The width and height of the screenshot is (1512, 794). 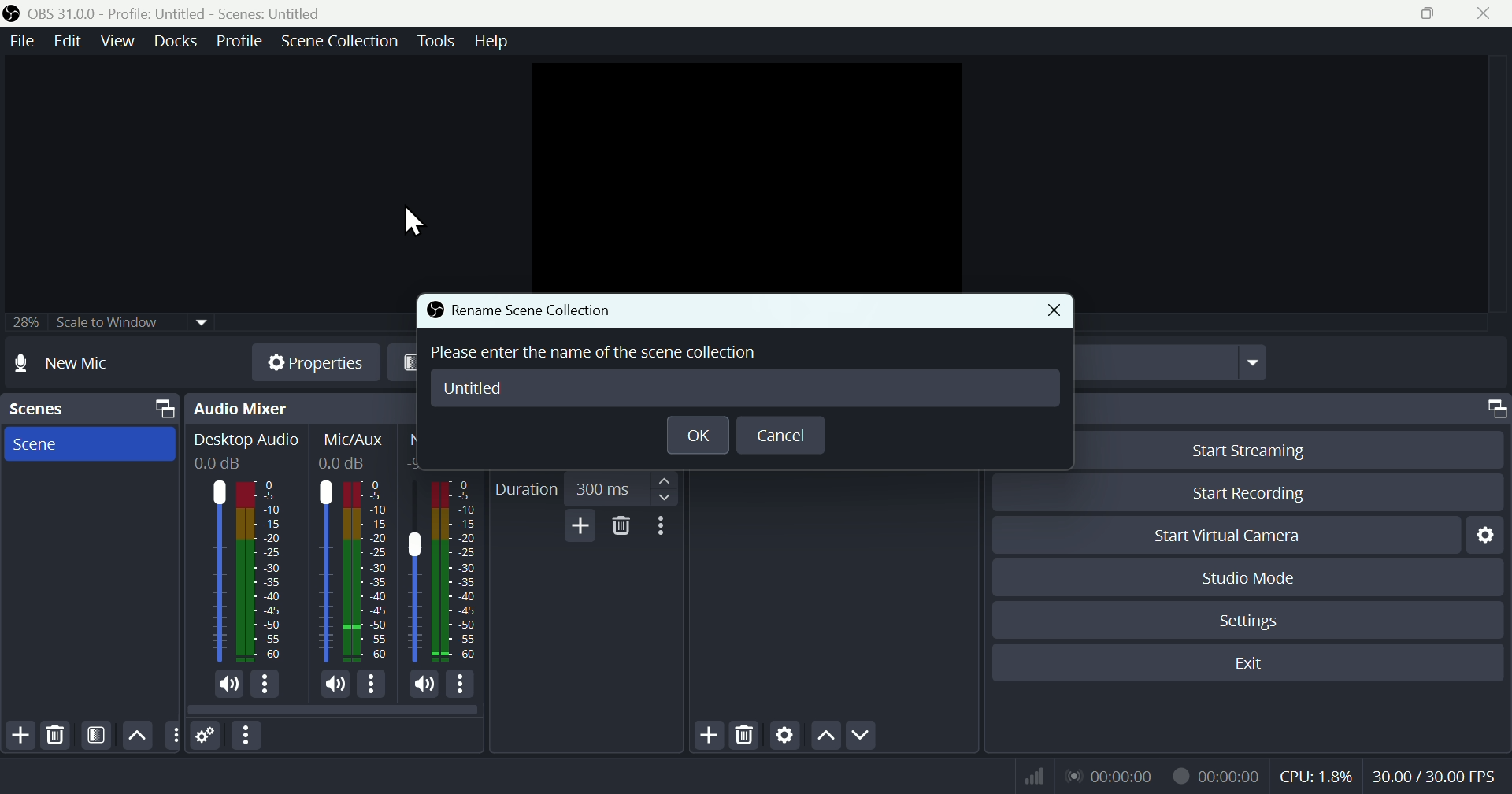 I want to click on Mic/Aux, so click(x=367, y=572).